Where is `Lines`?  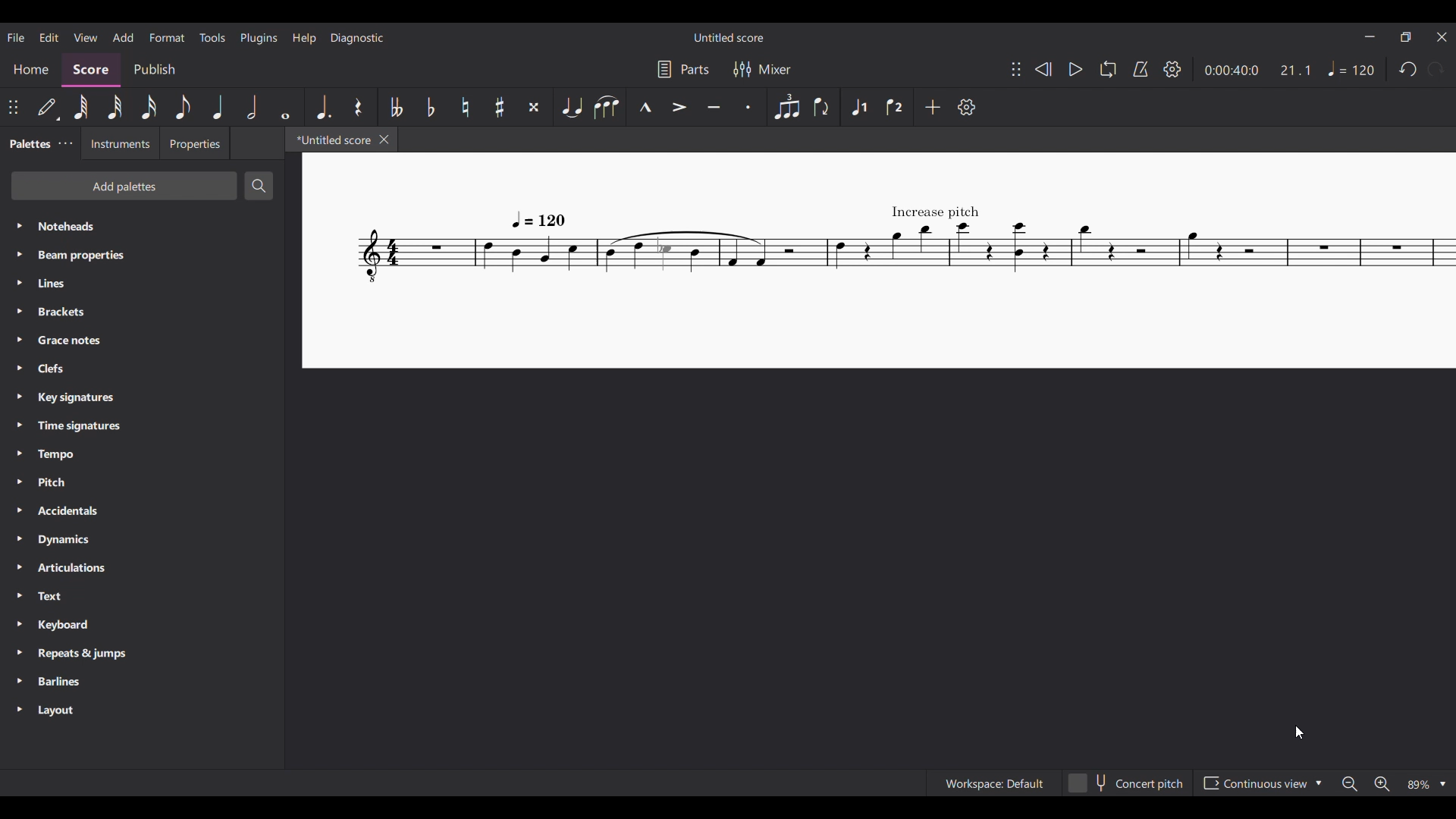
Lines is located at coordinates (143, 284).